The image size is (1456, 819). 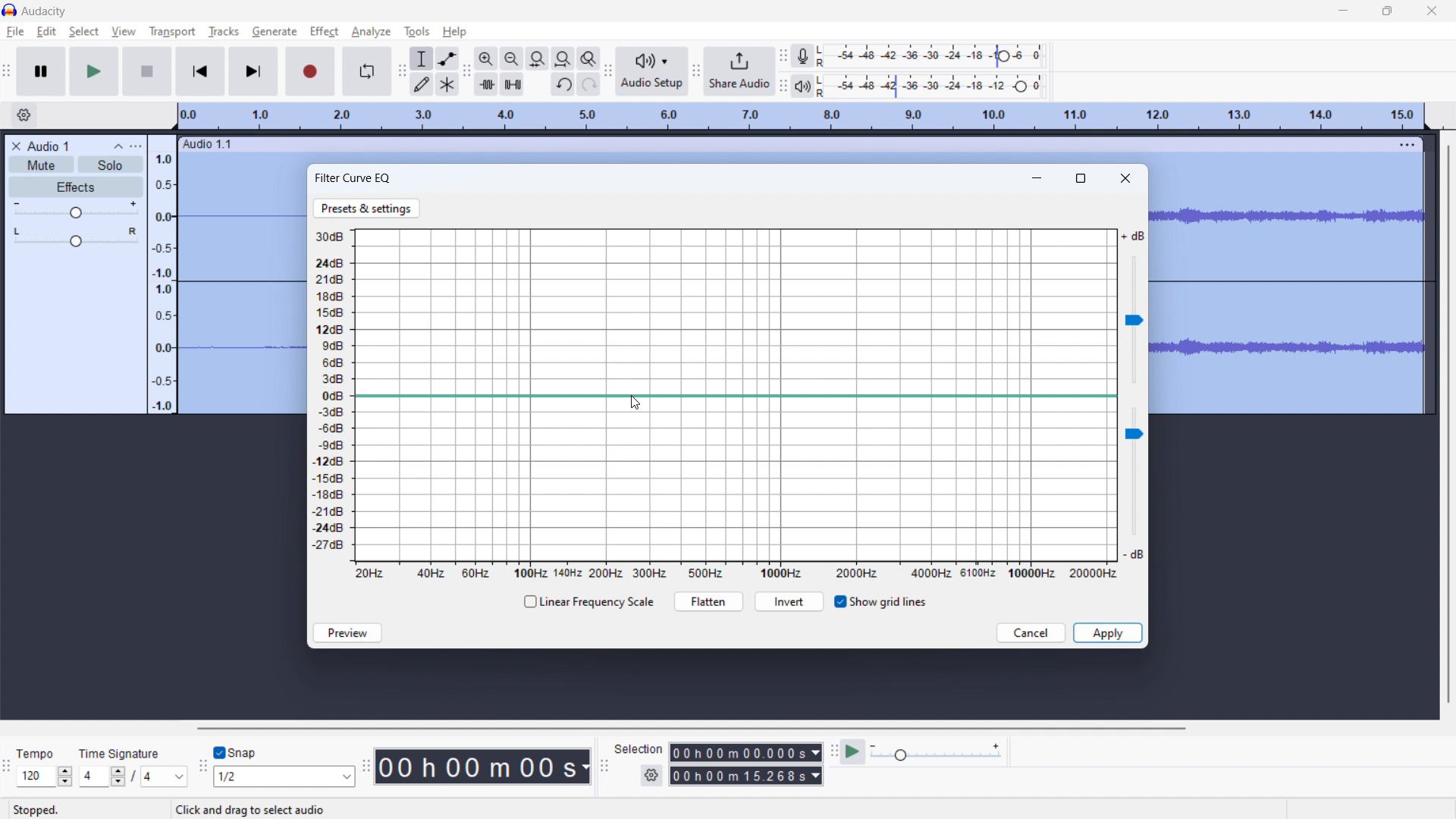 What do you see at coordinates (254, 72) in the screenshot?
I see `skip to last` at bounding box center [254, 72].